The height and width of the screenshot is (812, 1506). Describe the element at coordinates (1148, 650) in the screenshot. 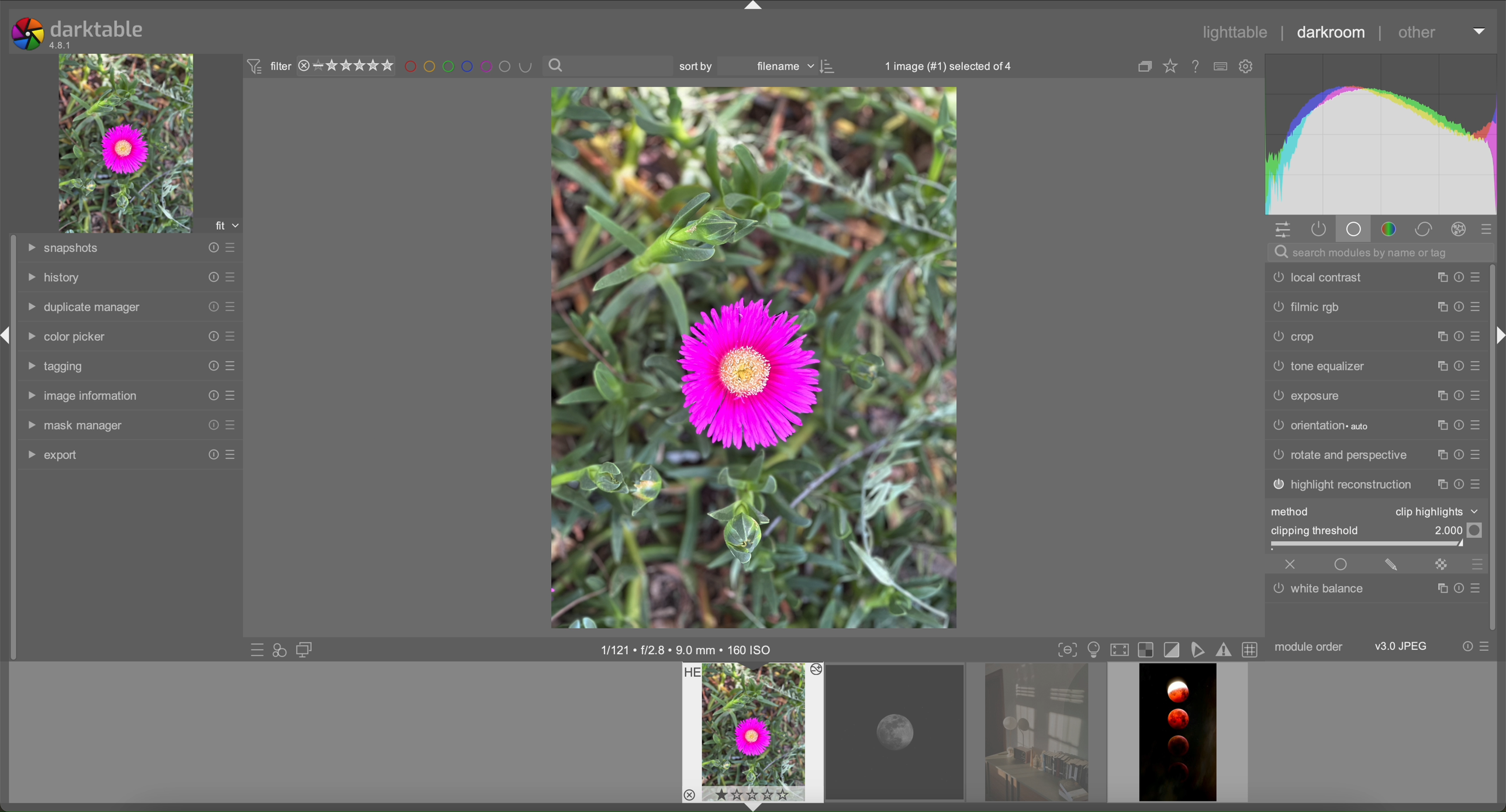

I see `overexposure` at that location.